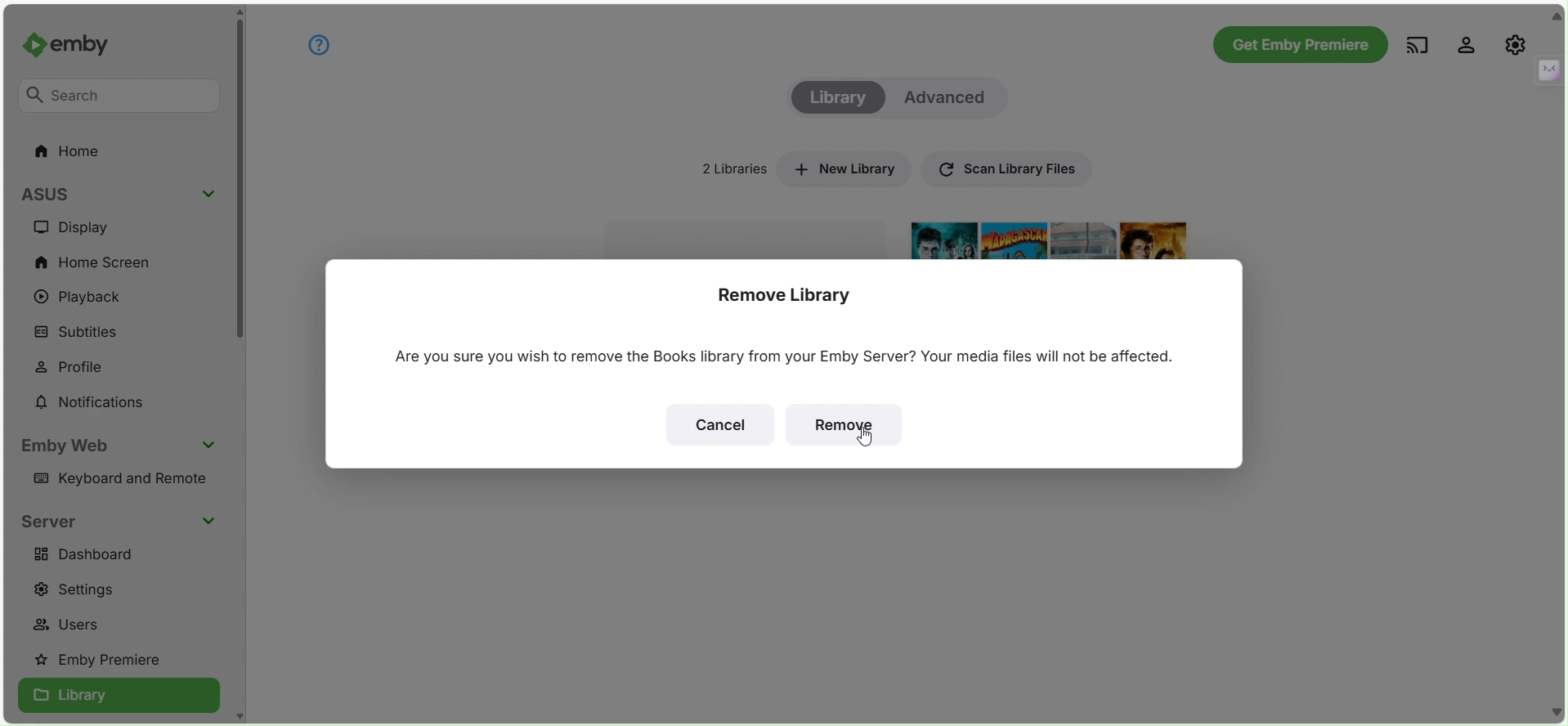  Describe the element at coordinates (777, 356) in the screenshot. I see `Are you sure you wish to remove the Books library from your Emby Server? Your media files will not be affected.` at that location.